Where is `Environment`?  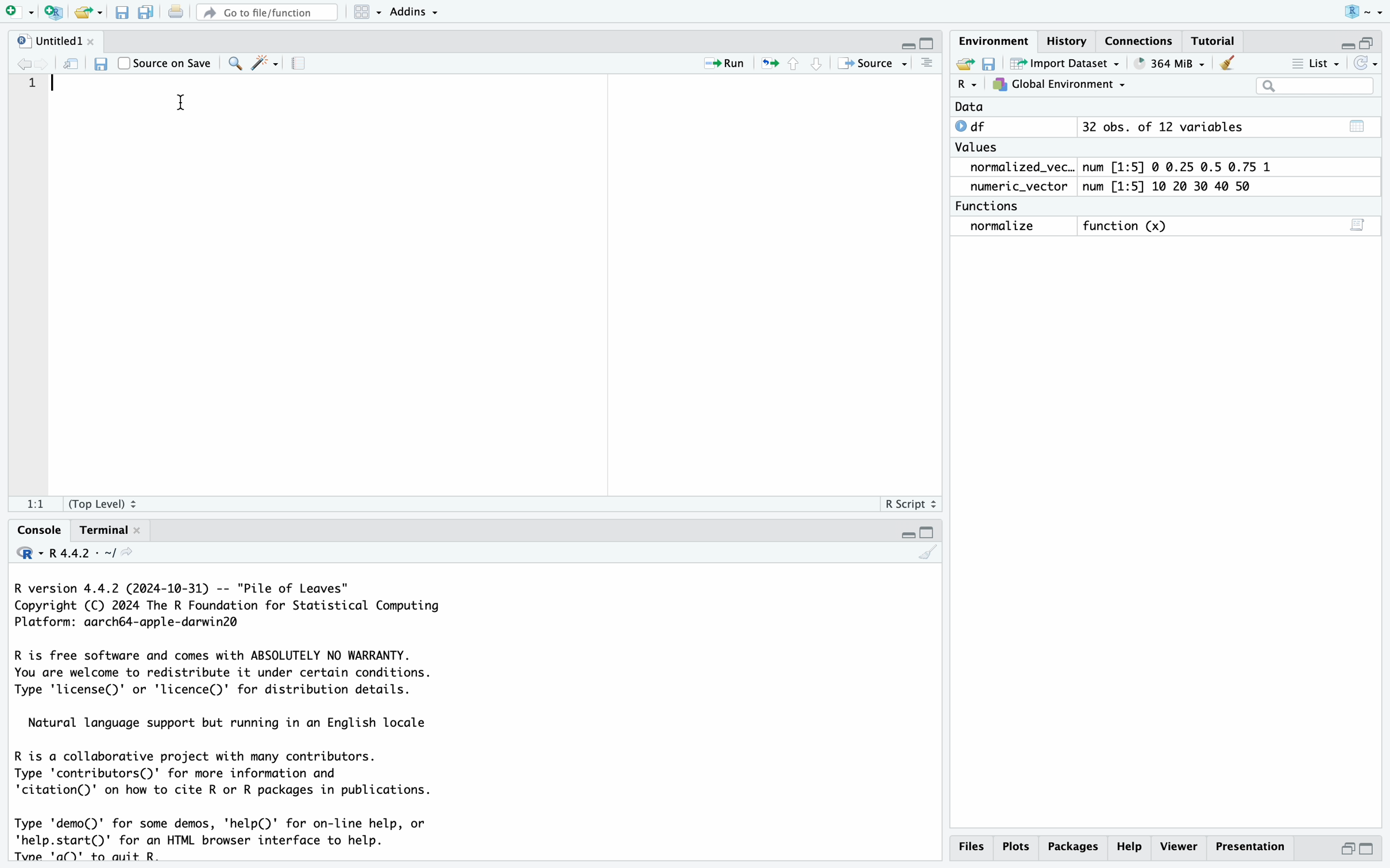
Environment is located at coordinates (993, 41).